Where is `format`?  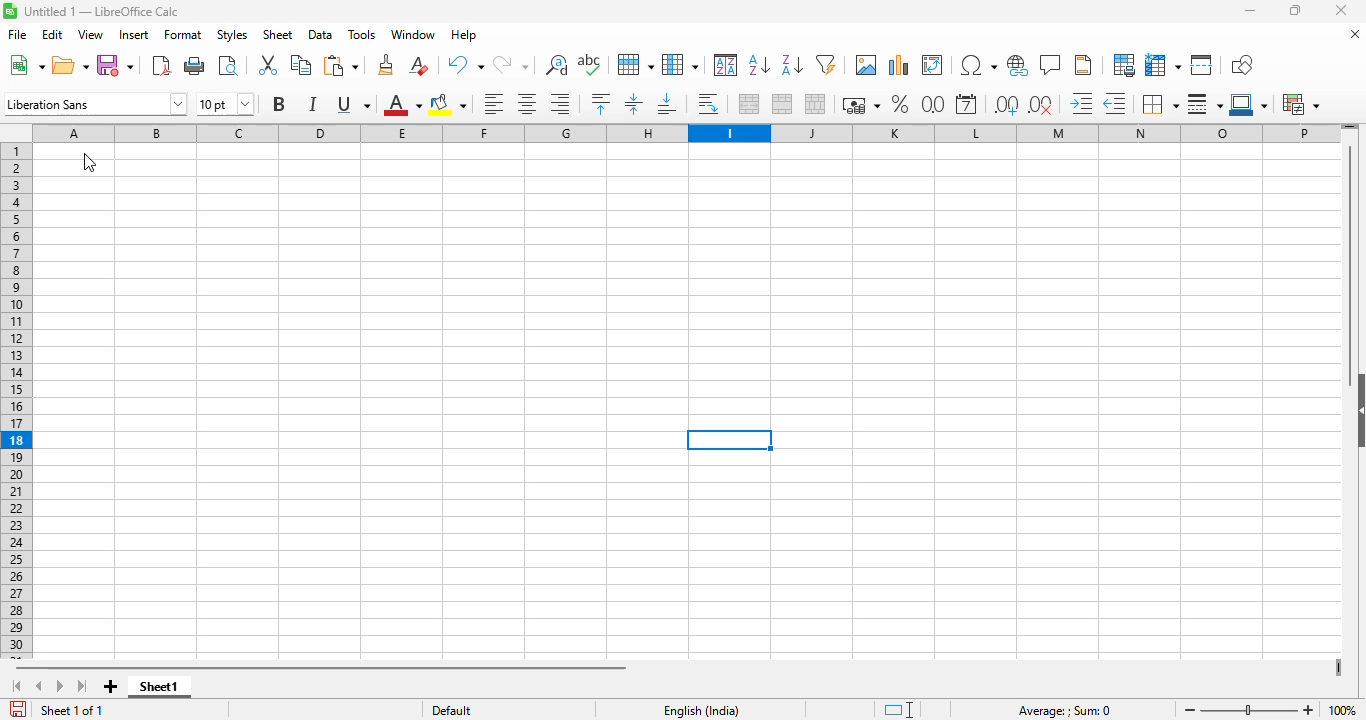
format is located at coordinates (183, 35).